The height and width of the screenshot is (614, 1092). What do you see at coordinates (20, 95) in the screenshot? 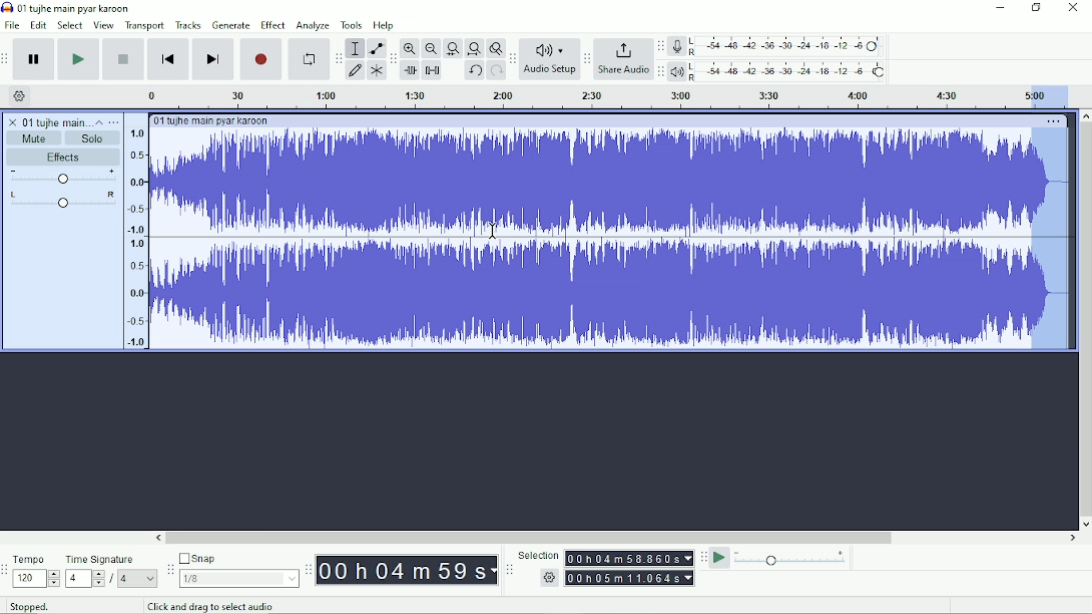
I see `Timeline options` at bounding box center [20, 95].